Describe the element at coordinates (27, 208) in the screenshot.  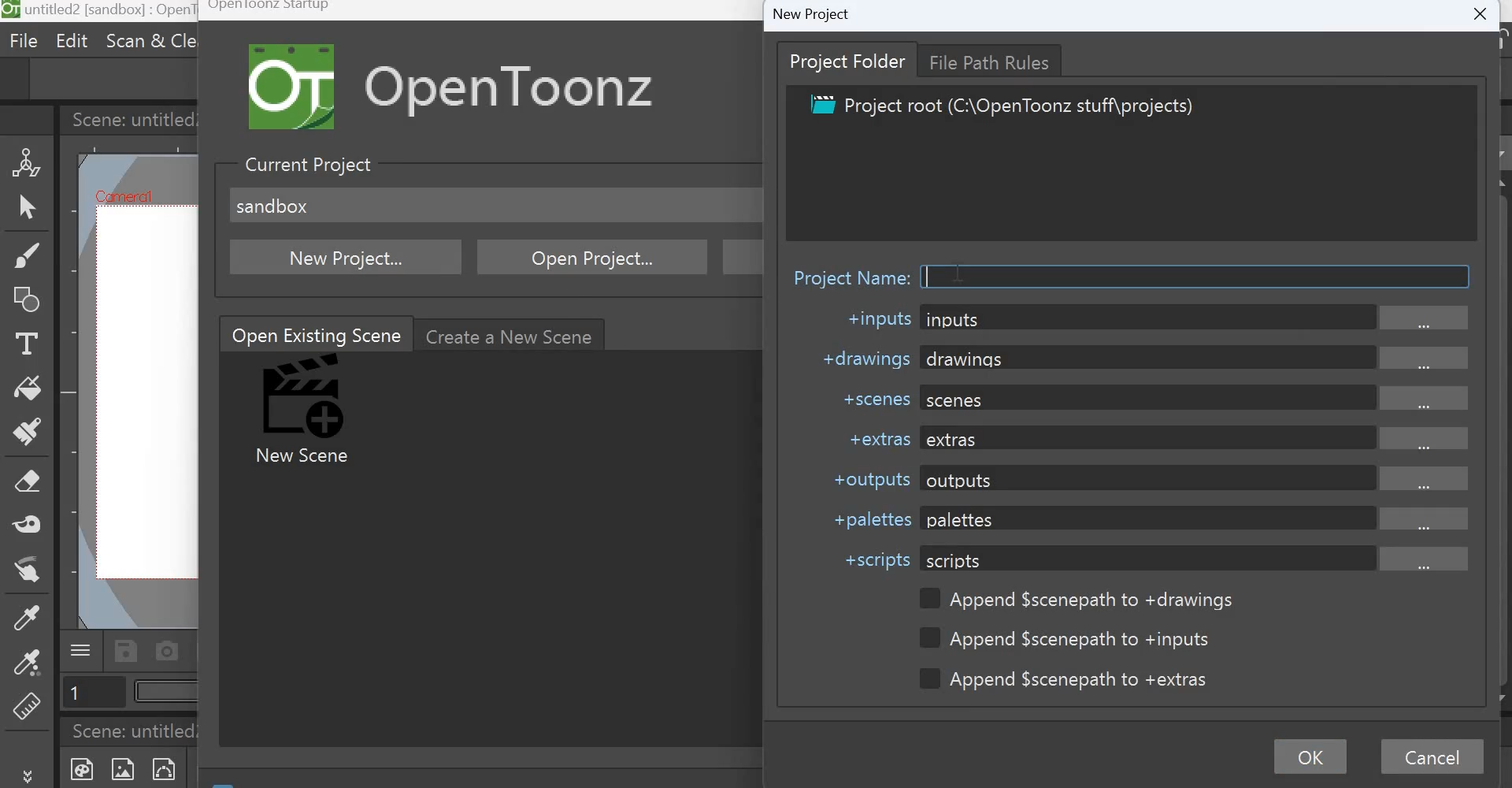
I see `Selection Tool` at that location.